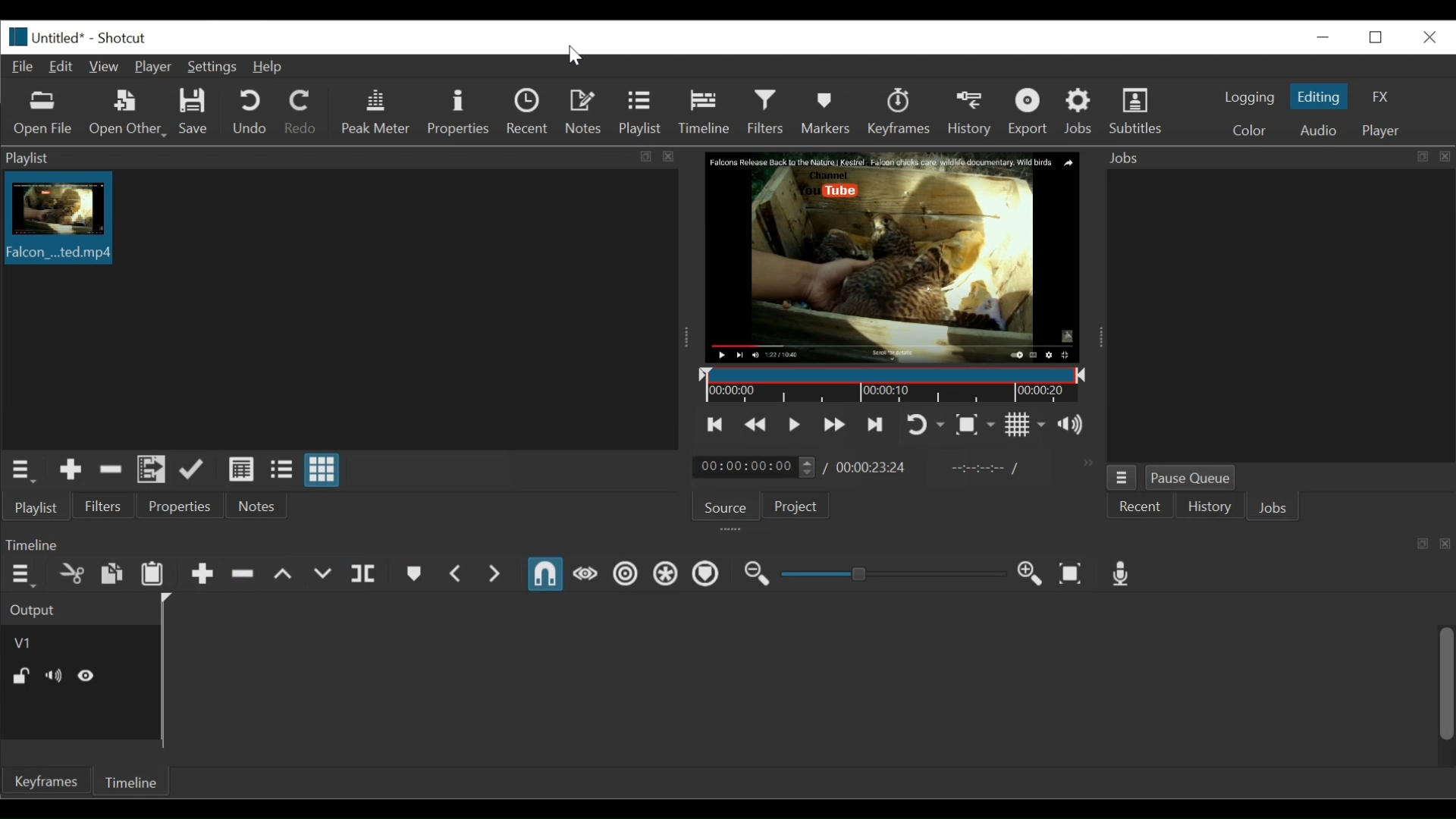 The height and width of the screenshot is (819, 1456). Describe the element at coordinates (154, 576) in the screenshot. I see `Paste` at that location.